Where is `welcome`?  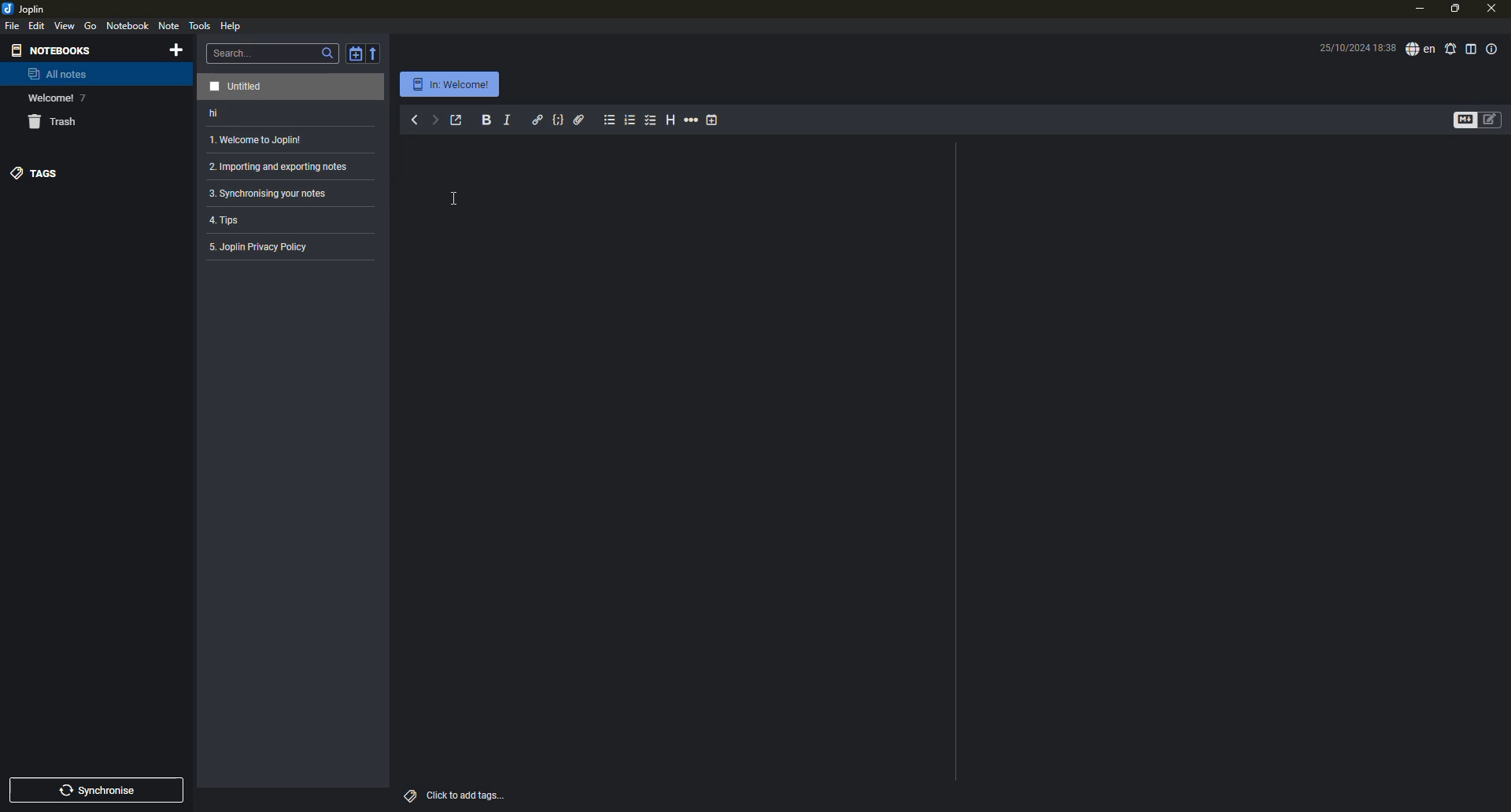 welcome is located at coordinates (50, 98).